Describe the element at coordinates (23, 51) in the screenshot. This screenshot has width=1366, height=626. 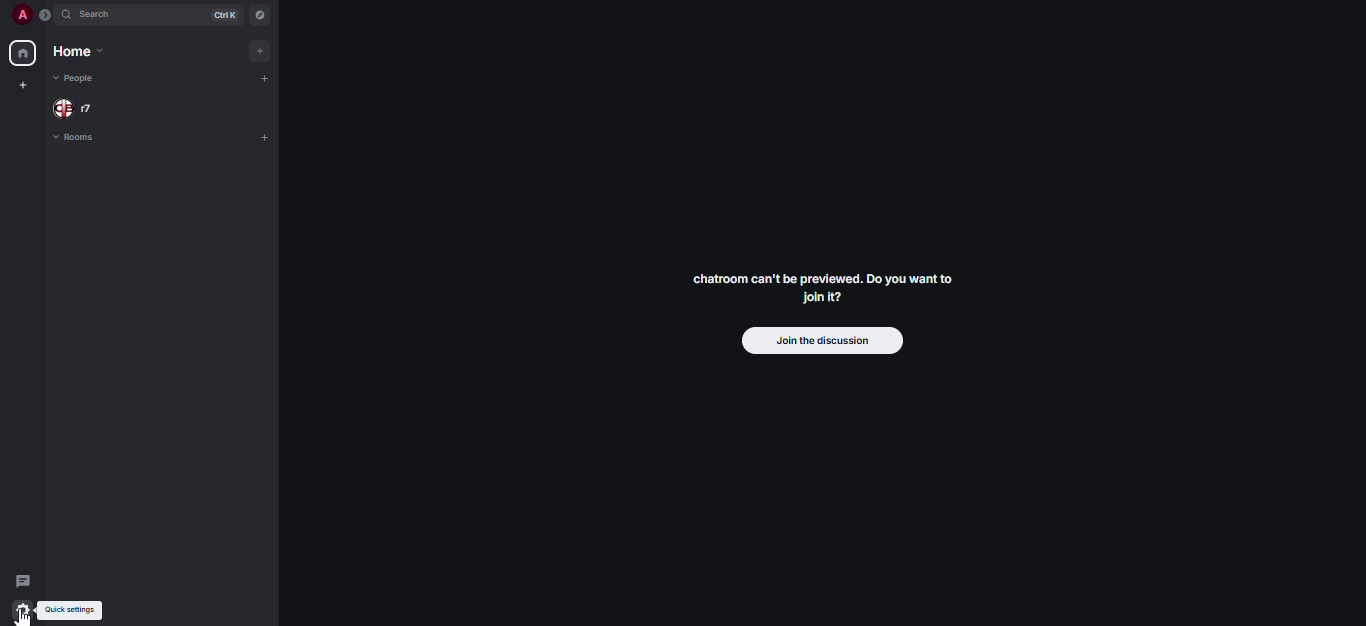
I see `home` at that location.